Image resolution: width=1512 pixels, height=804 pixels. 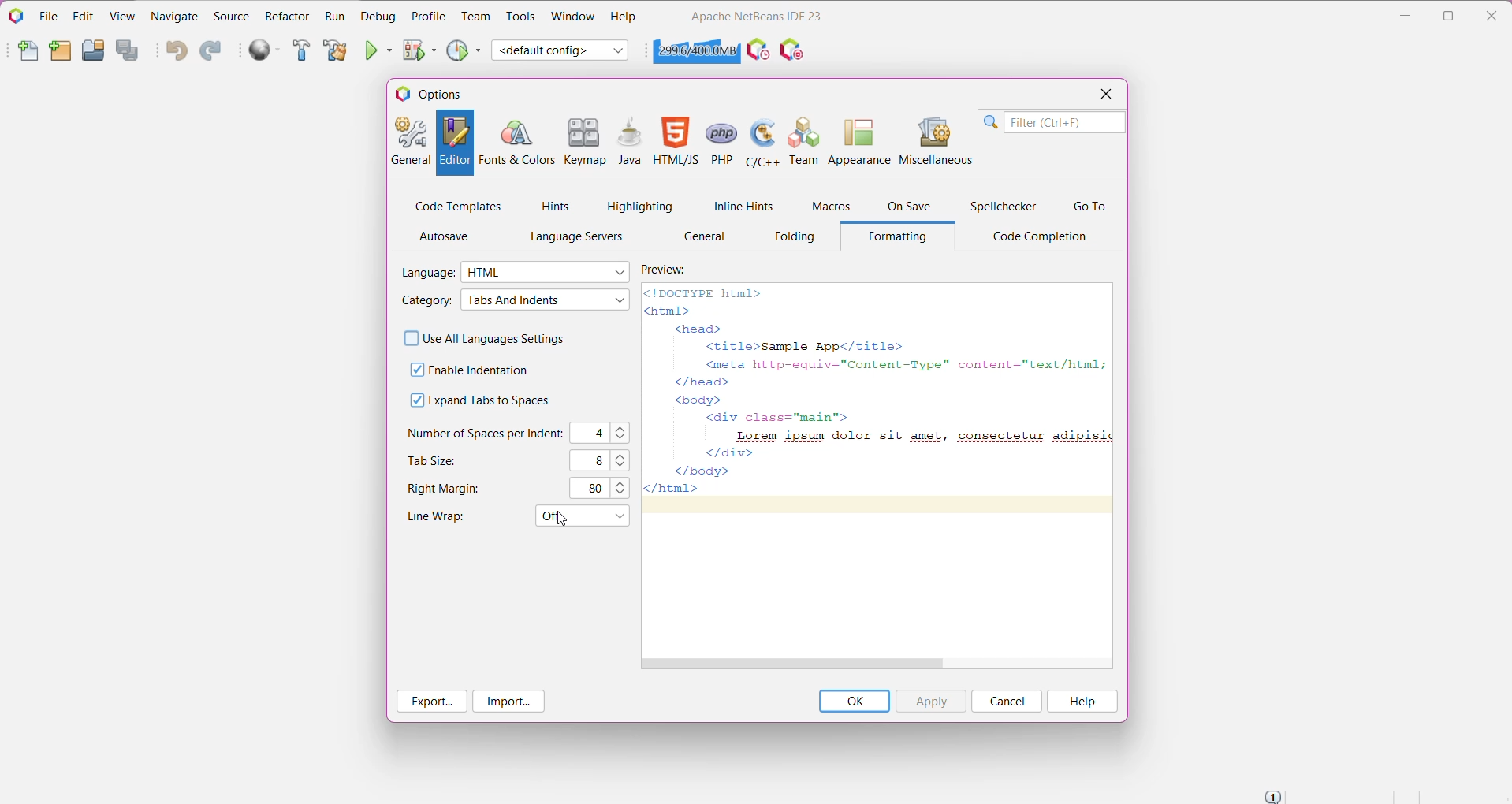 I want to click on Miscellaneous, so click(x=935, y=140).